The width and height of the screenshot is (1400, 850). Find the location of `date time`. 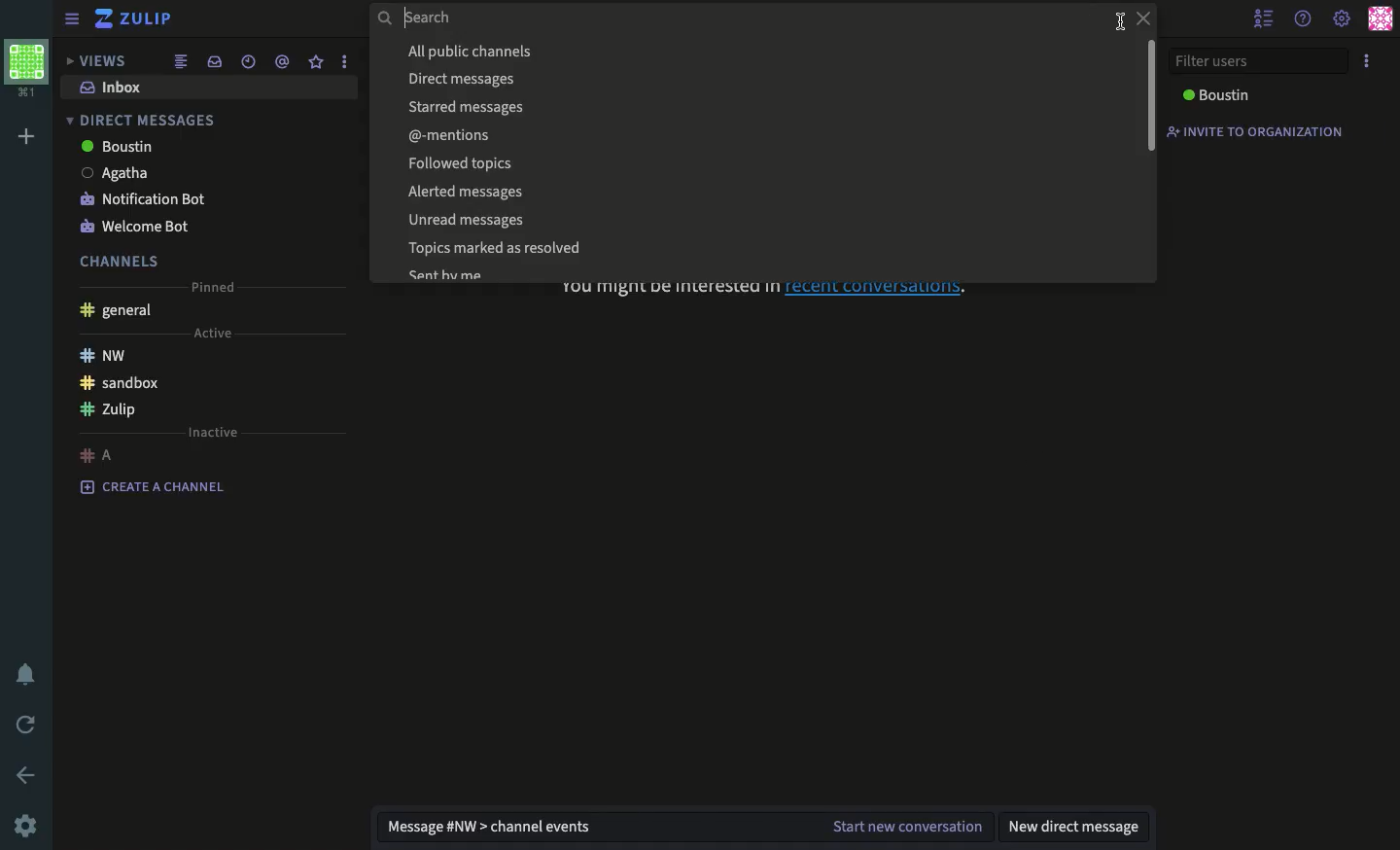

date time is located at coordinates (248, 59).